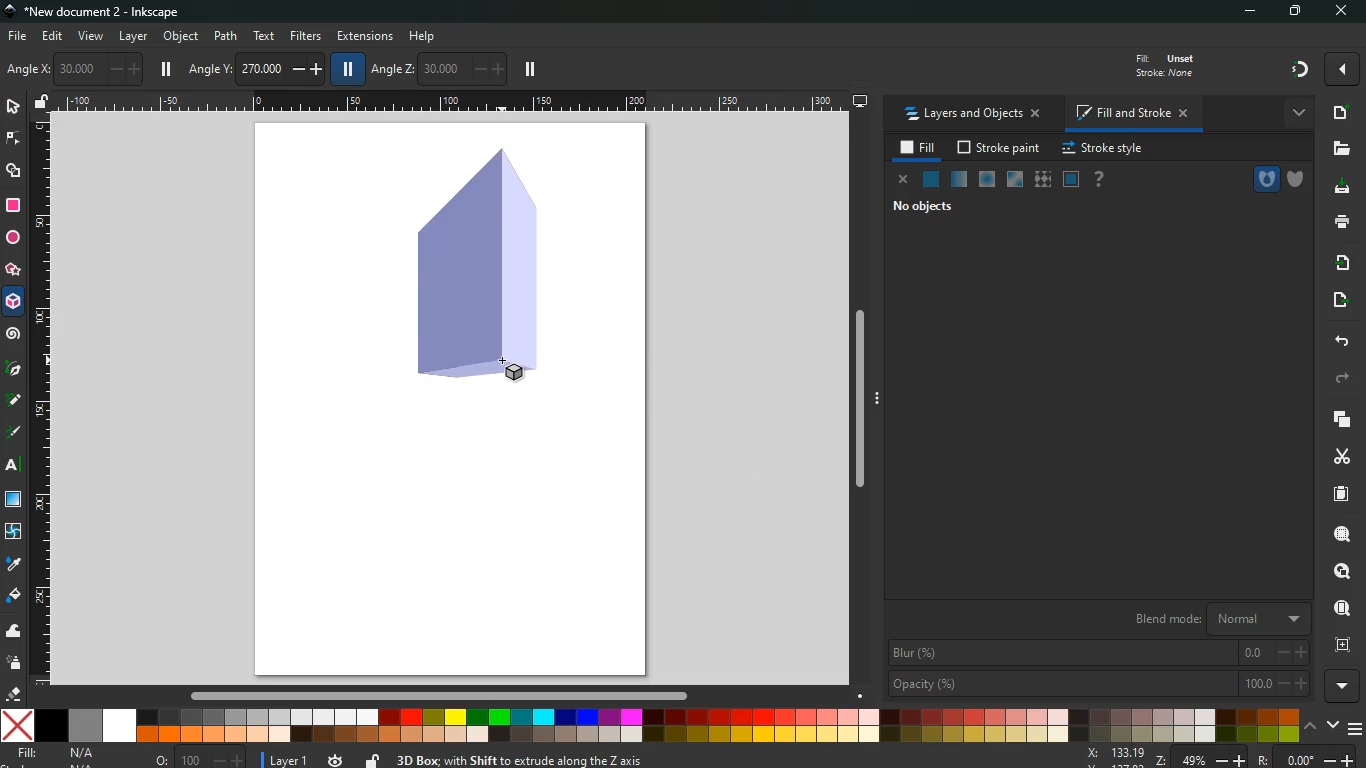 The image size is (1366, 768). I want to click on edge, so click(14, 139).